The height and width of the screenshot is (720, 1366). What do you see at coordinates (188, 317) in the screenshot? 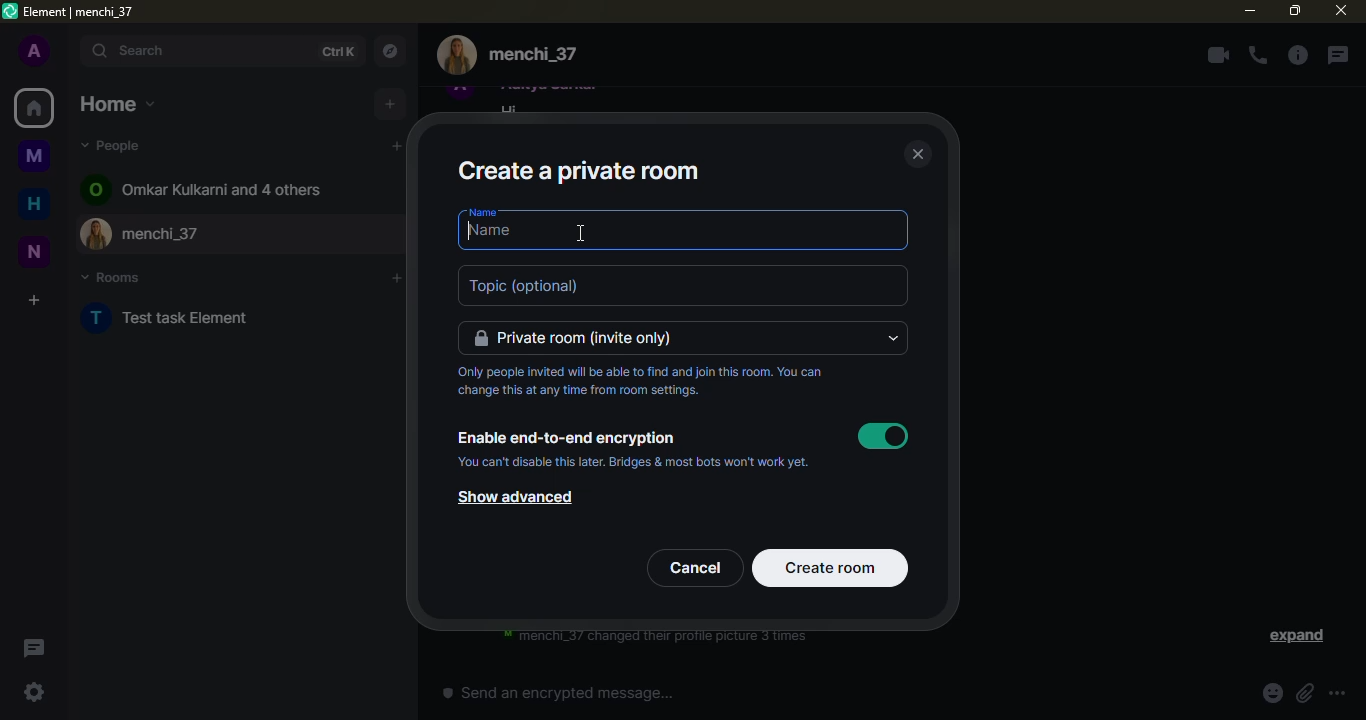
I see `Test task Element` at bounding box center [188, 317].